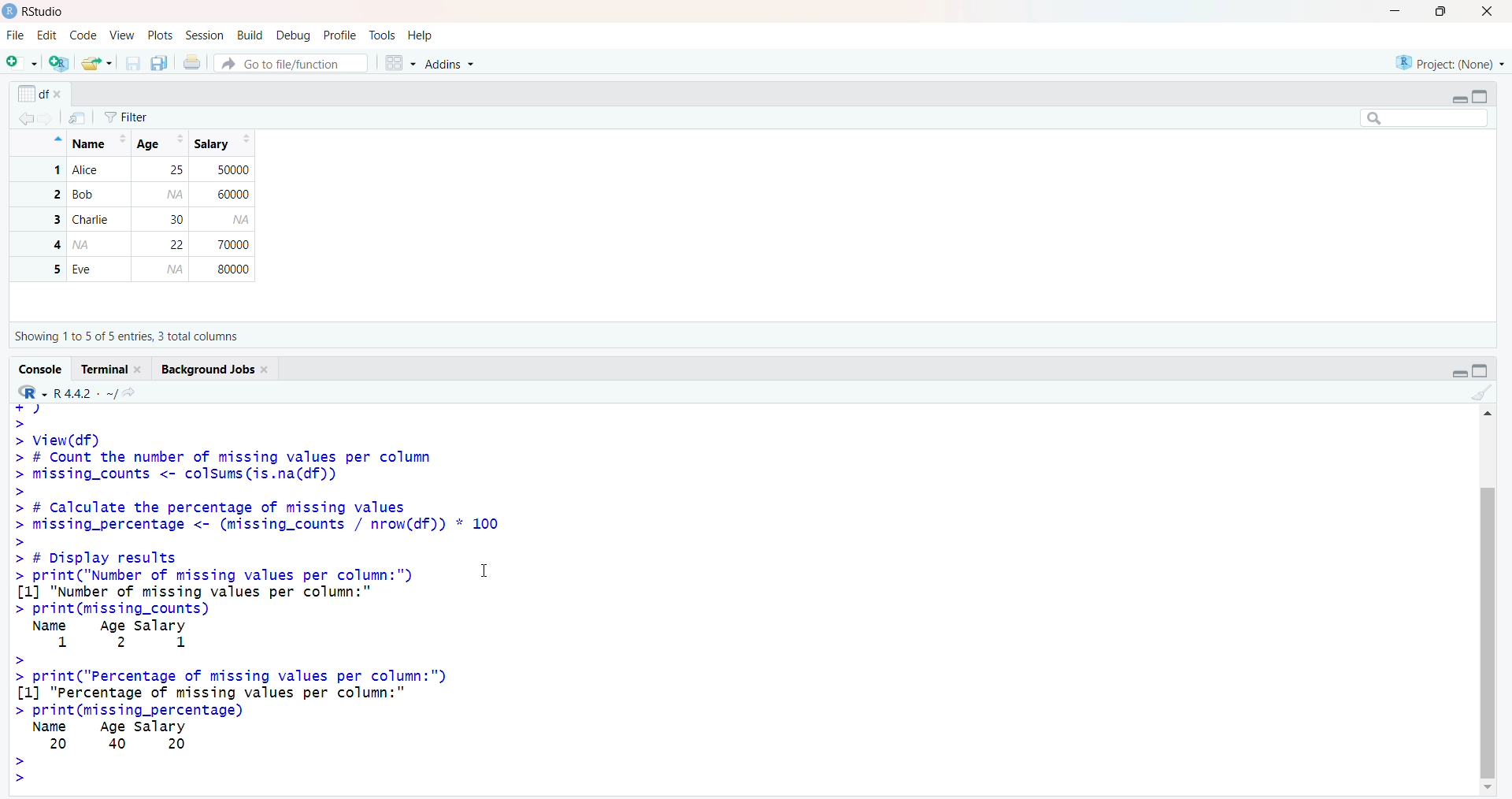 The width and height of the screenshot is (1512, 799). Describe the element at coordinates (341, 34) in the screenshot. I see `Profile` at that location.